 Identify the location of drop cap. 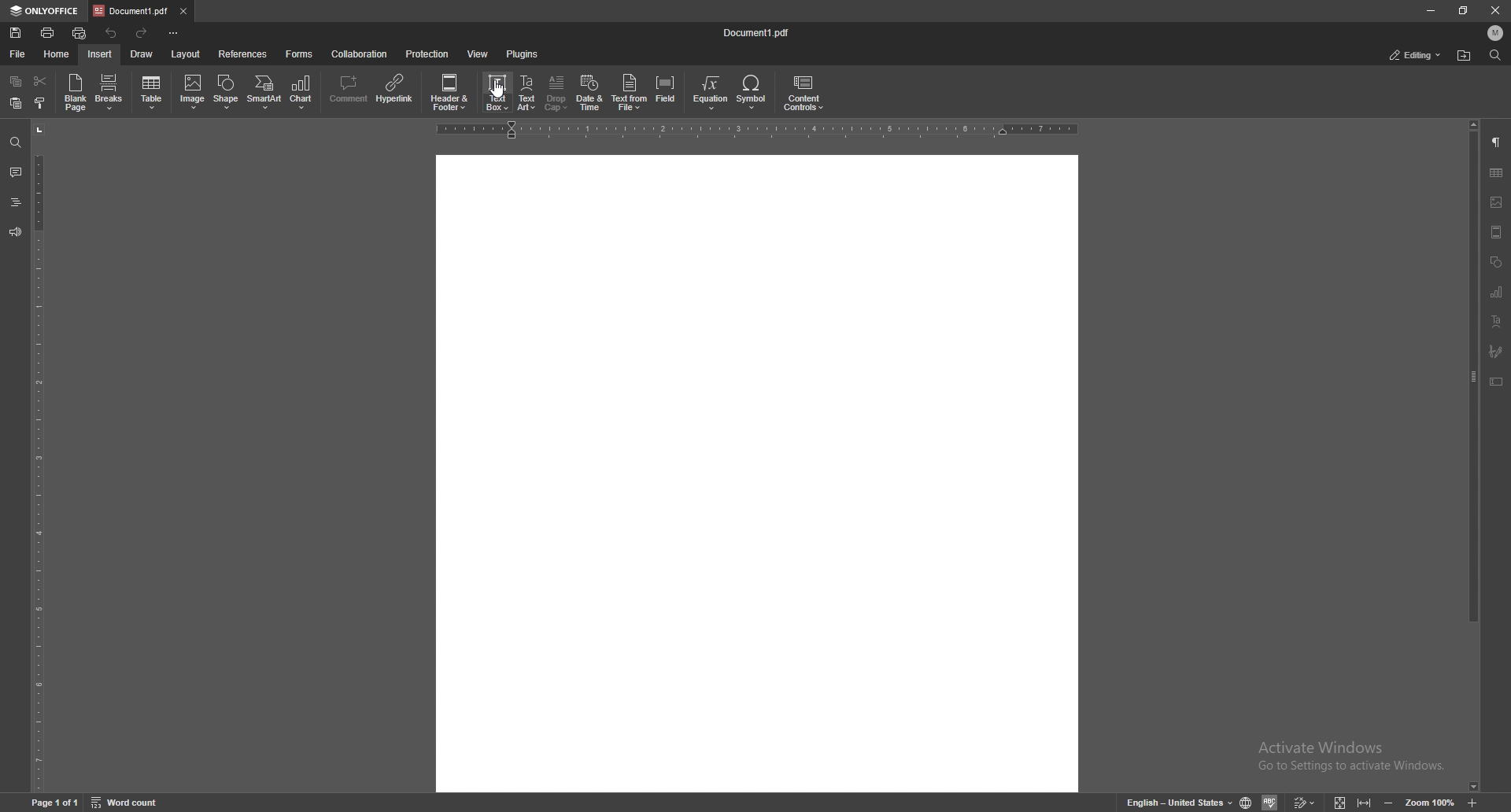
(556, 92).